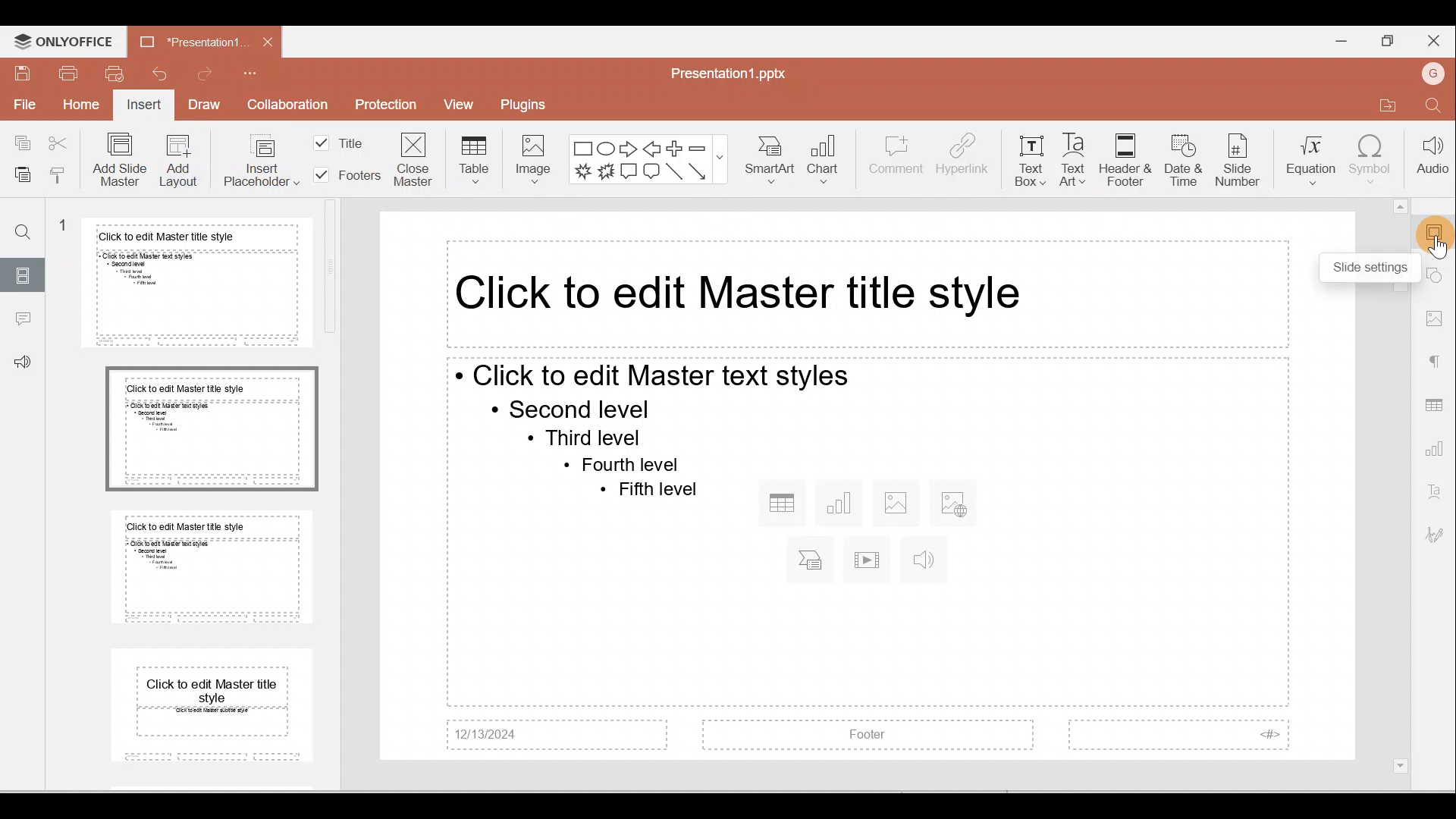 This screenshot has width=1456, height=819. I want to click on Save, so click(19, 72).